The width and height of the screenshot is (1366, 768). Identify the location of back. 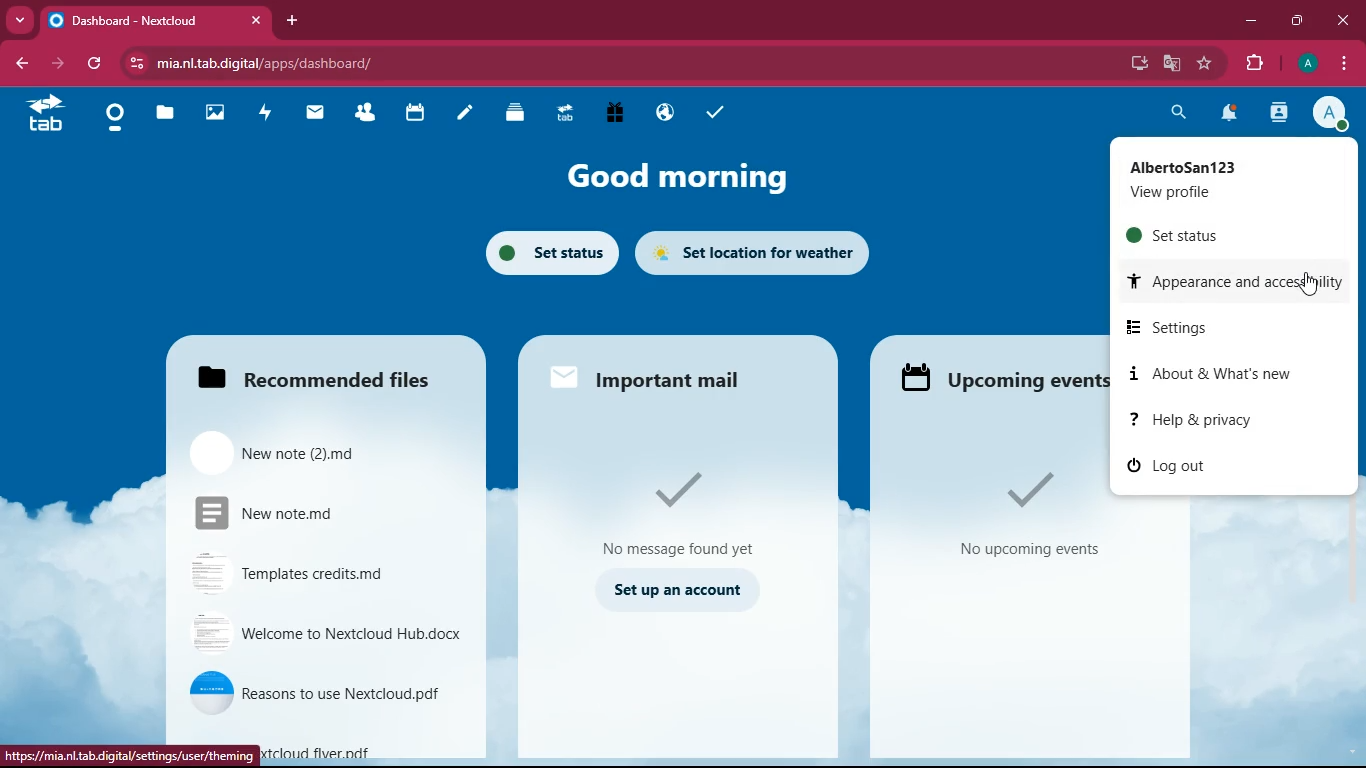
(17, 65).